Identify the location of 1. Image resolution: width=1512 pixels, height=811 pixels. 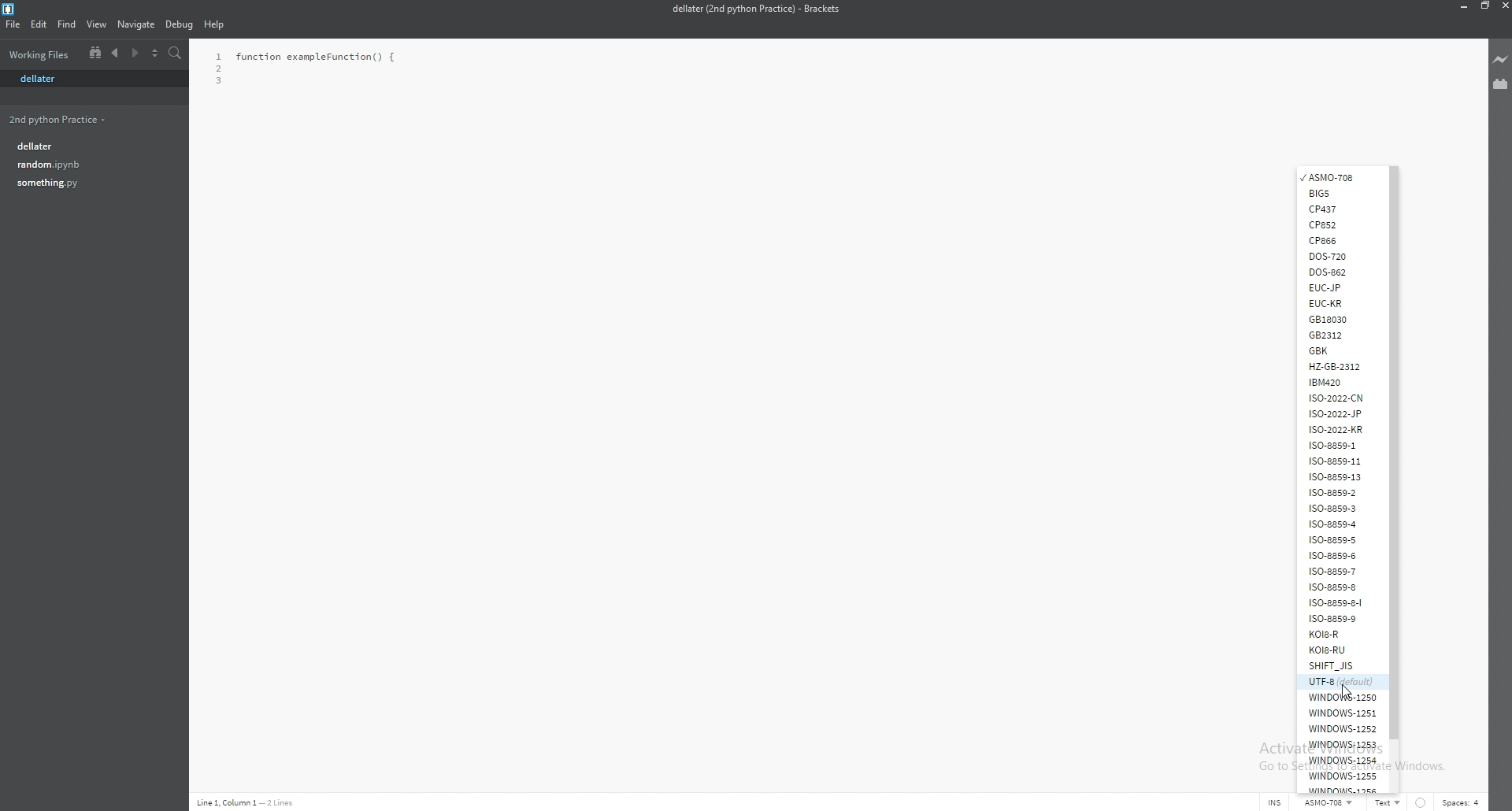
(217, 56).